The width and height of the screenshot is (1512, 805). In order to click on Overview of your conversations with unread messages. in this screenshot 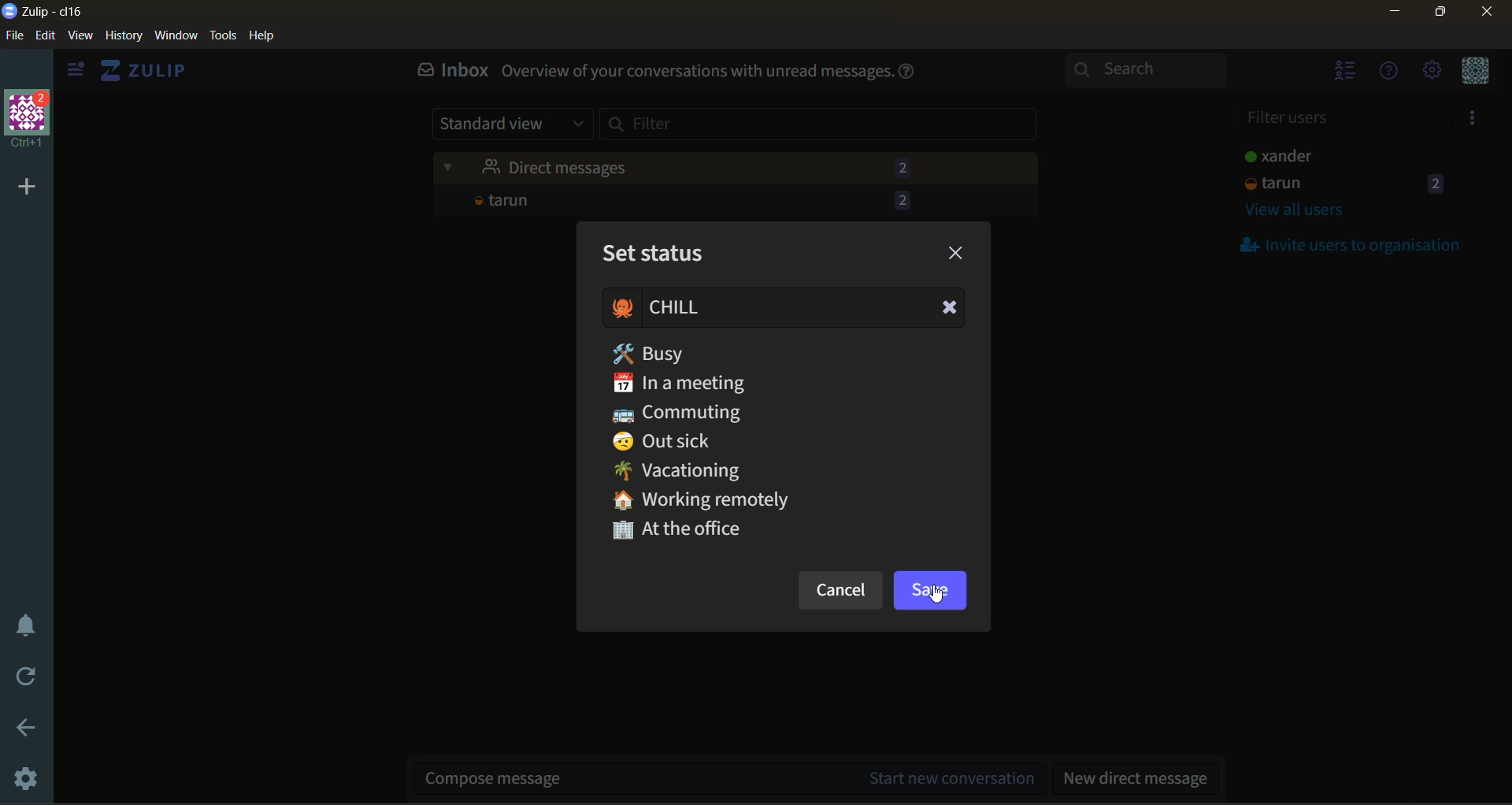, I will do `click(696, 73)`.